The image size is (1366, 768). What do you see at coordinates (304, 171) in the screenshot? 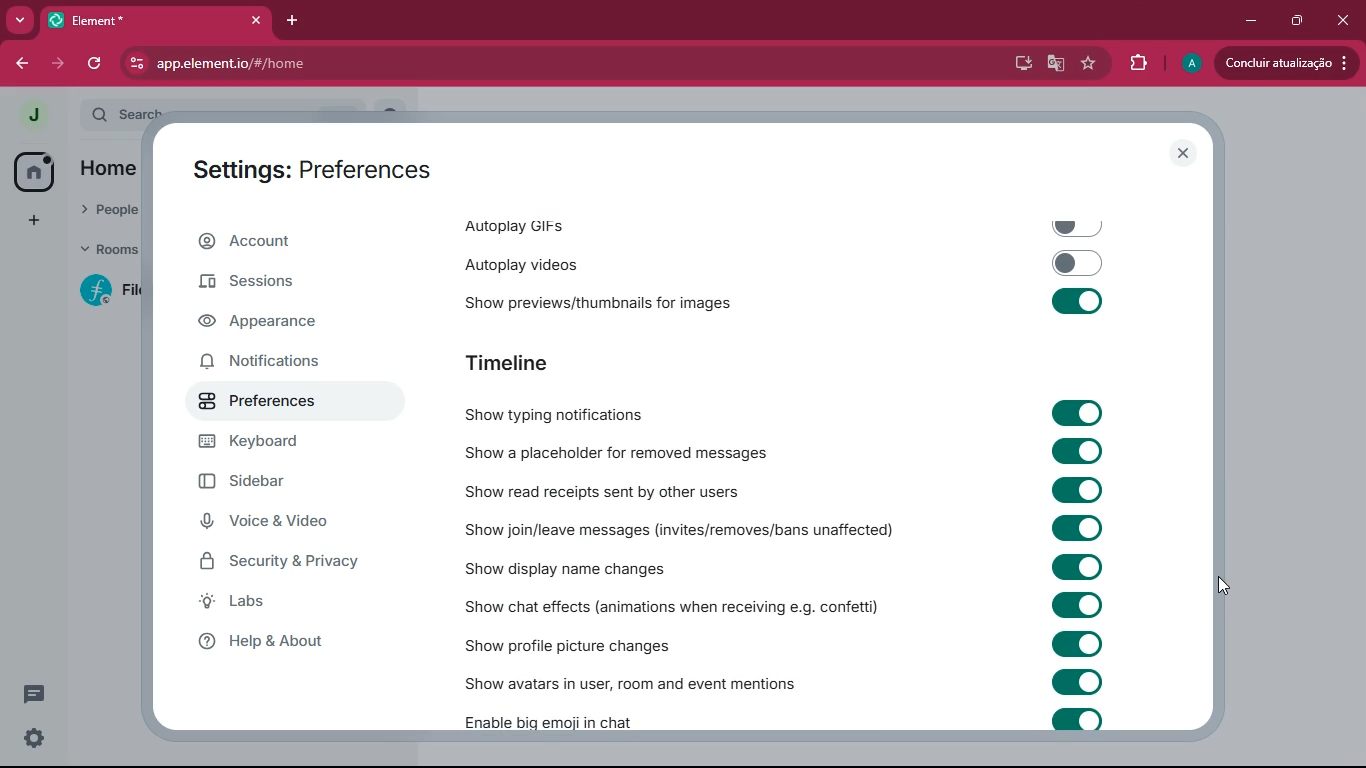
I see `settings: preferences` at bounding box center [304, 171].